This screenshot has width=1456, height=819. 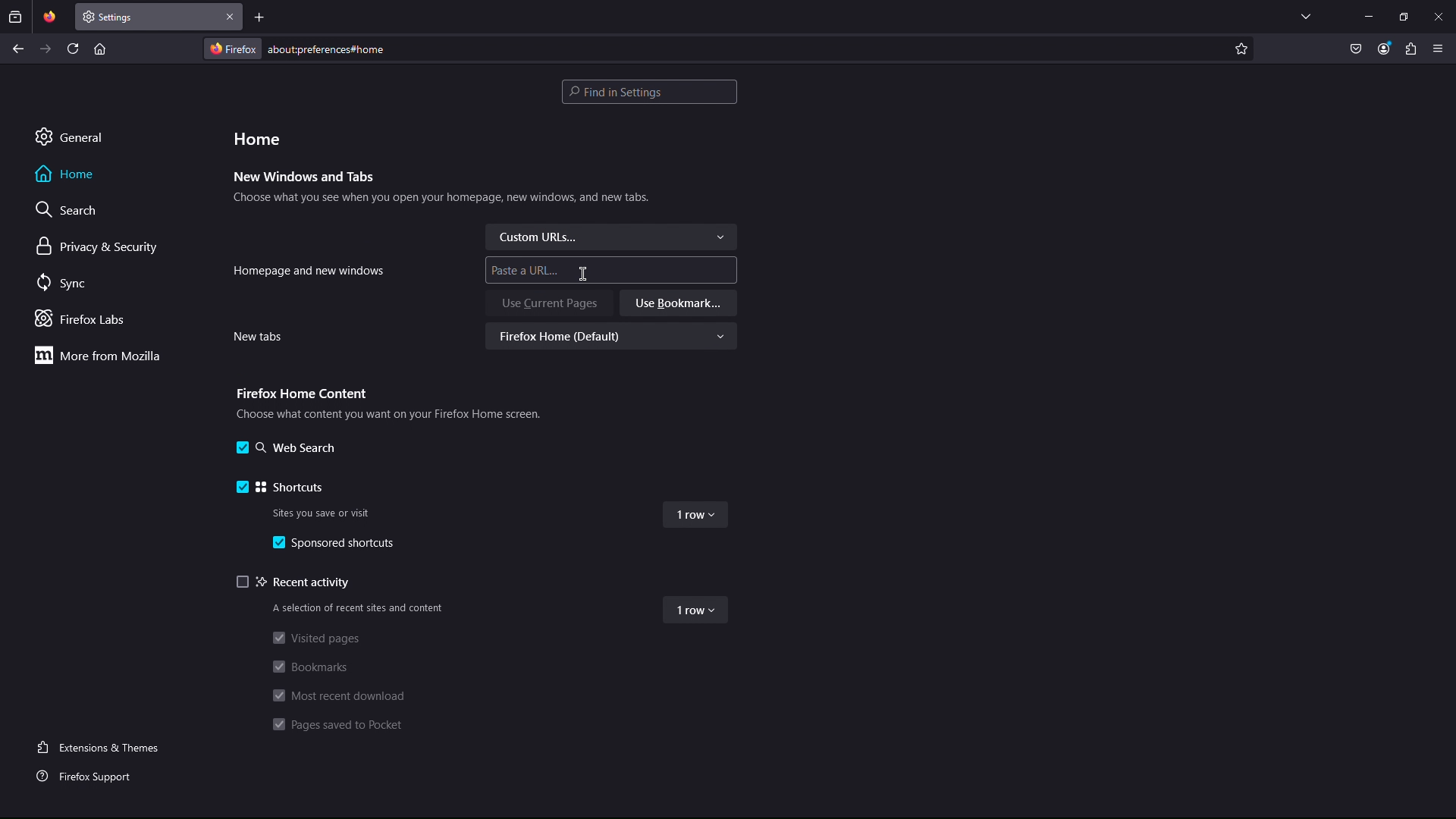 I want to click on Back, so click(x=18, y=49).